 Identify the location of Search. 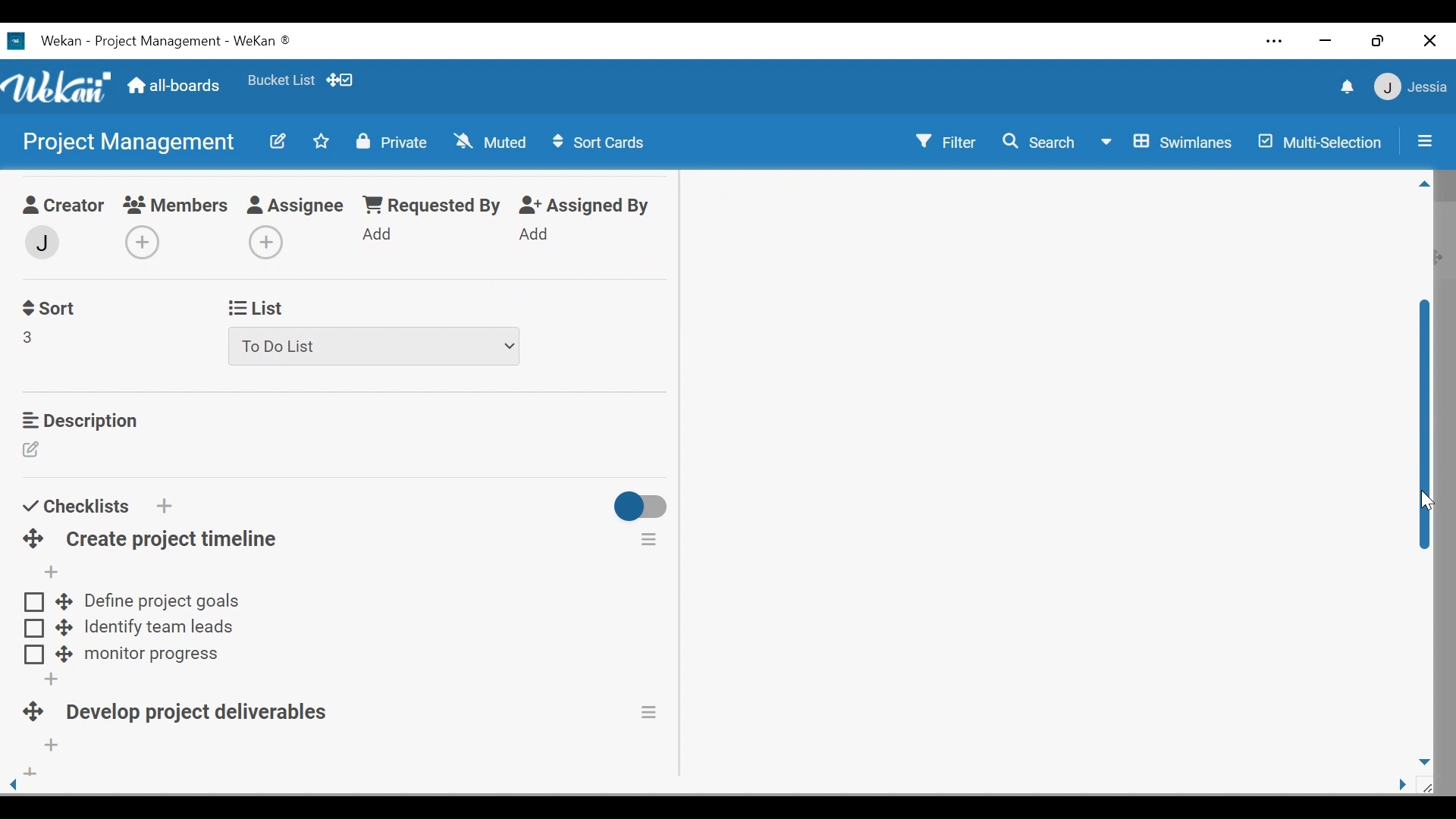
(1041, 144).